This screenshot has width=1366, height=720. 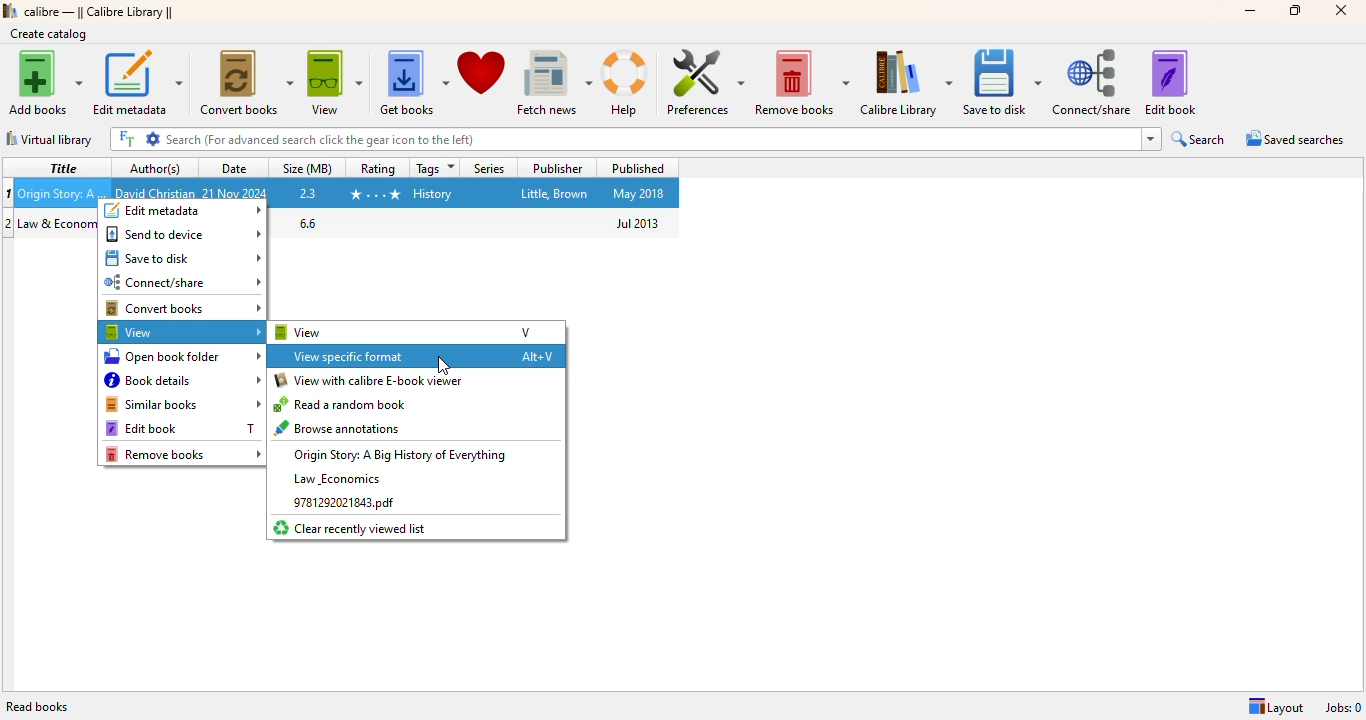 What do you see at coordinates (628, 84) in the screenshot?
I see `help` at bounding box center [628, 84].